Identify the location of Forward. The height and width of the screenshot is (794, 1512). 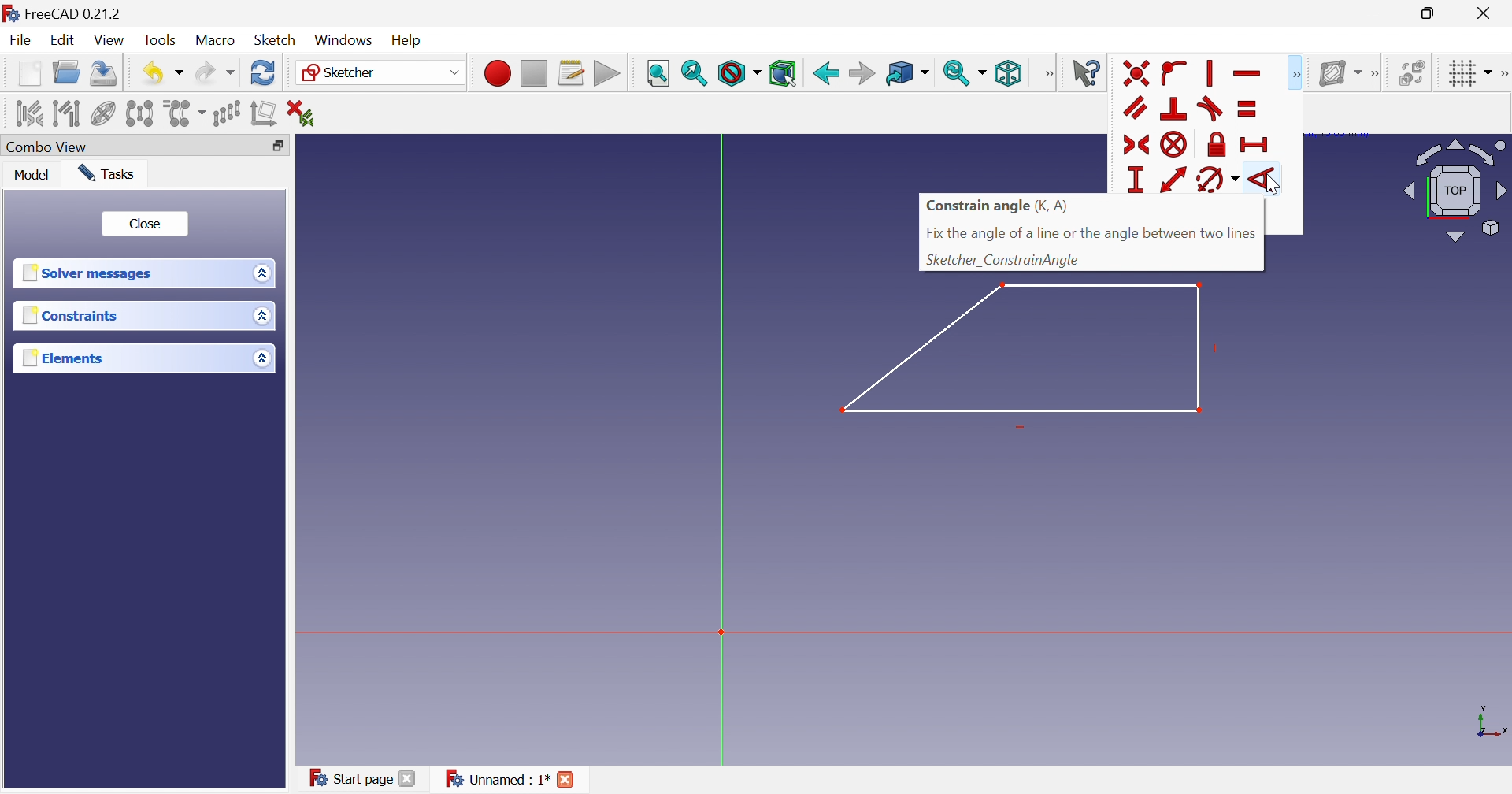
(862, 72).